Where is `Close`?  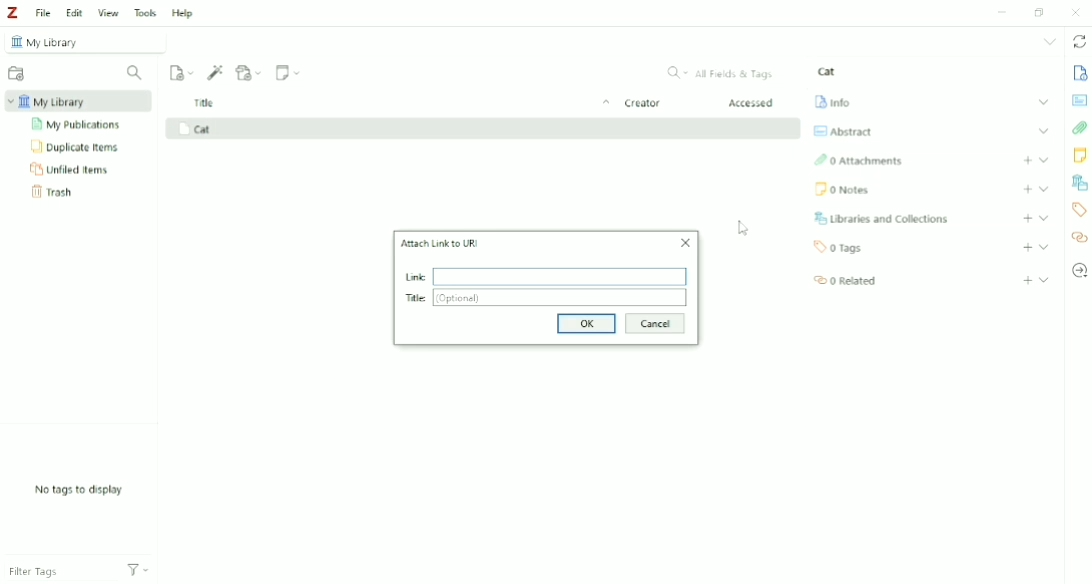
Close is located at coordinates (1075, 12).